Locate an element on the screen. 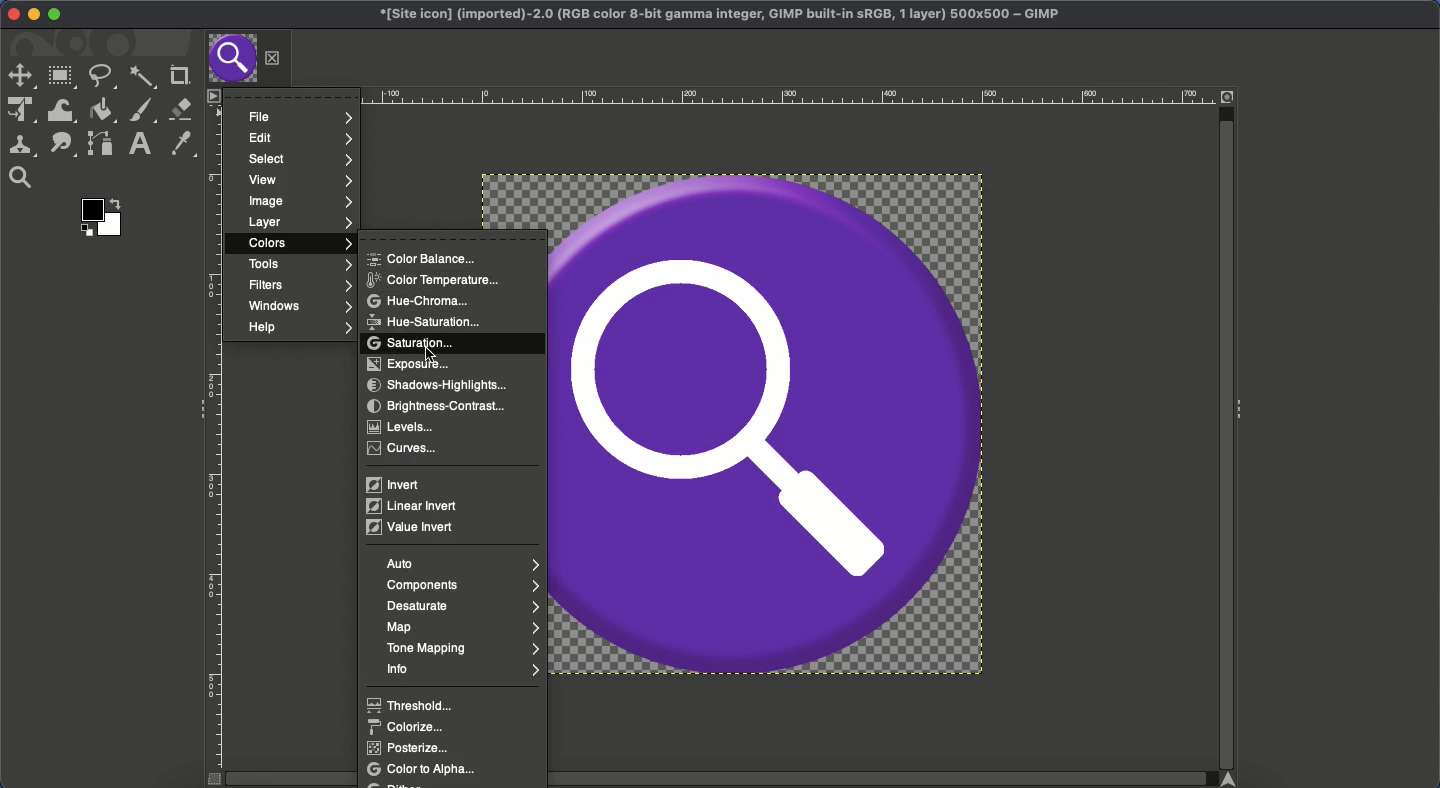 The height and width of the screenshot is (788, 1440). Rectangular selector is located at coordinates (61, 79).